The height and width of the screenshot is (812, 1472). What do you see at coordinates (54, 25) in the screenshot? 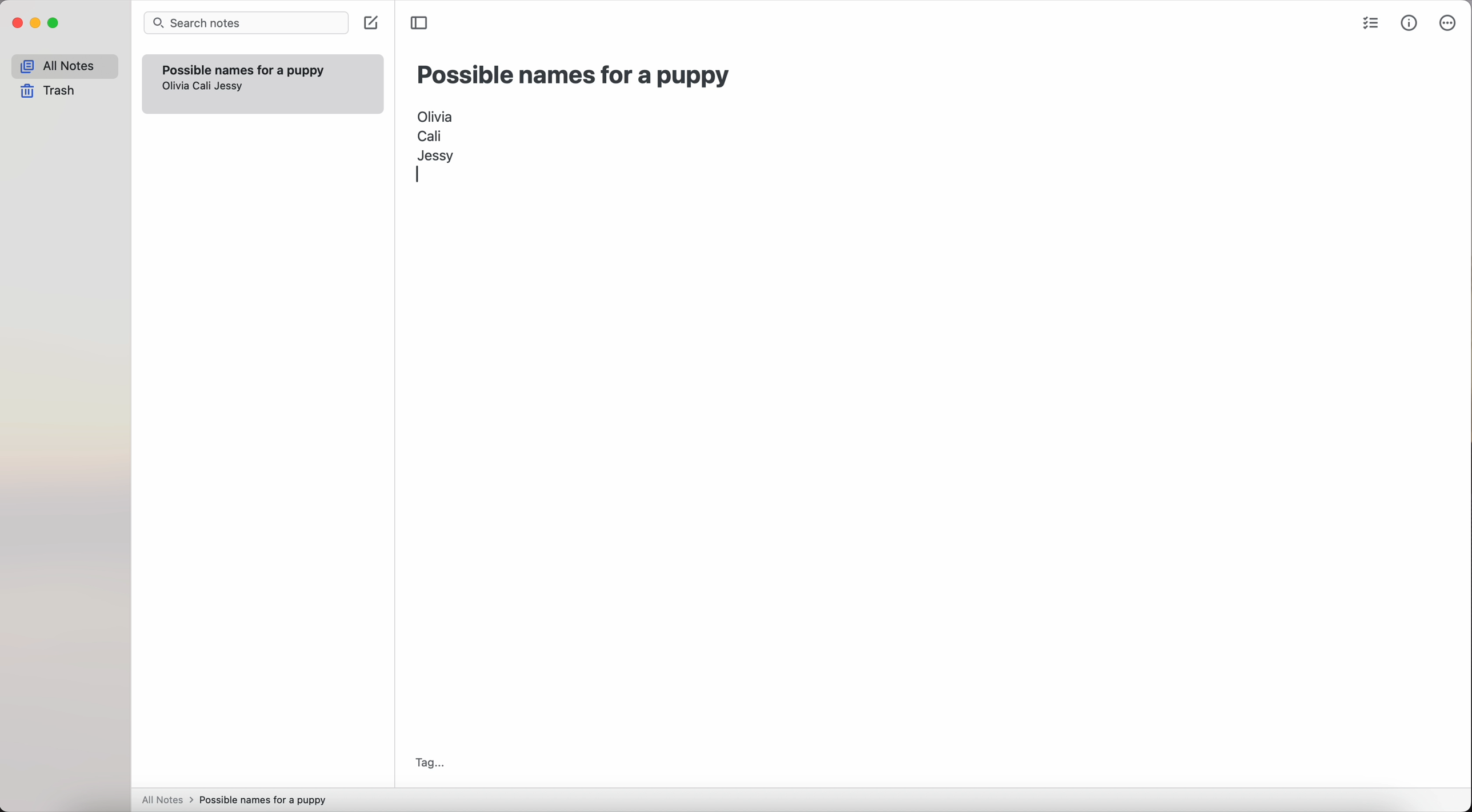
I see `maximize` at bounding box center [54, 25].